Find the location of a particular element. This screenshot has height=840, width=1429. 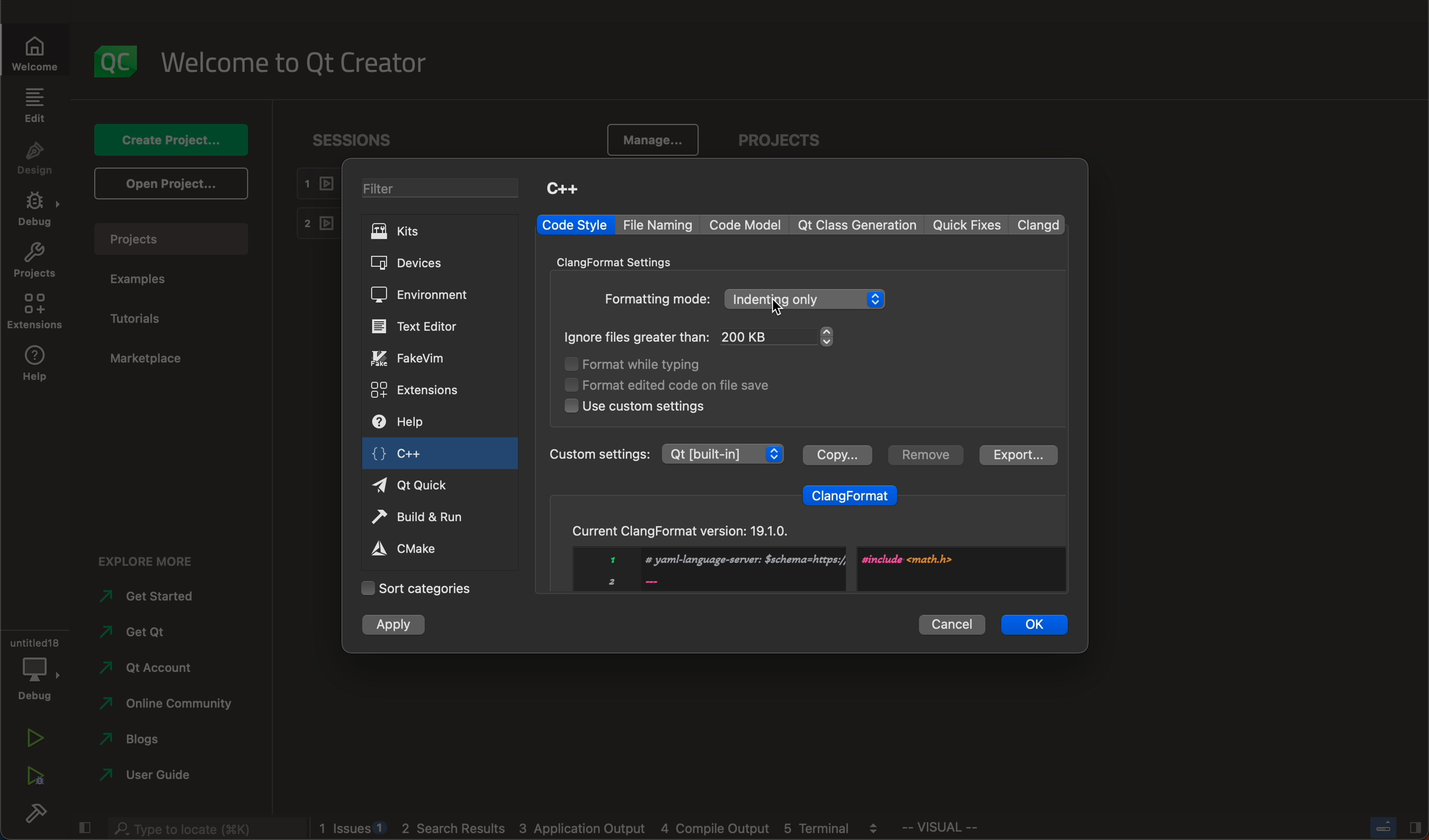

qt is located at coordinates (143, 637).